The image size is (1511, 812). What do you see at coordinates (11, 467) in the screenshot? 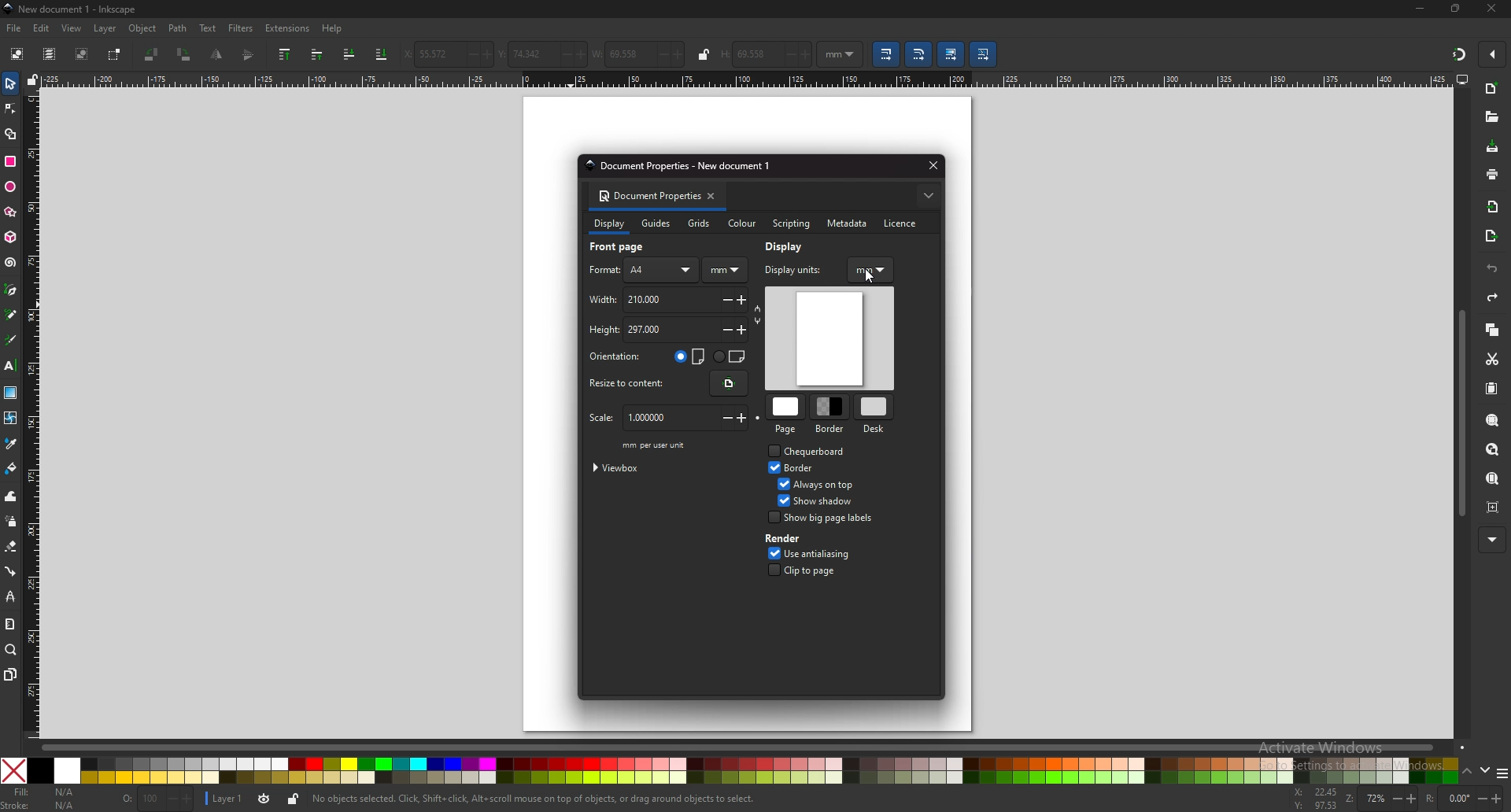
I see `paint bucket` at bounding box center [11, 467].